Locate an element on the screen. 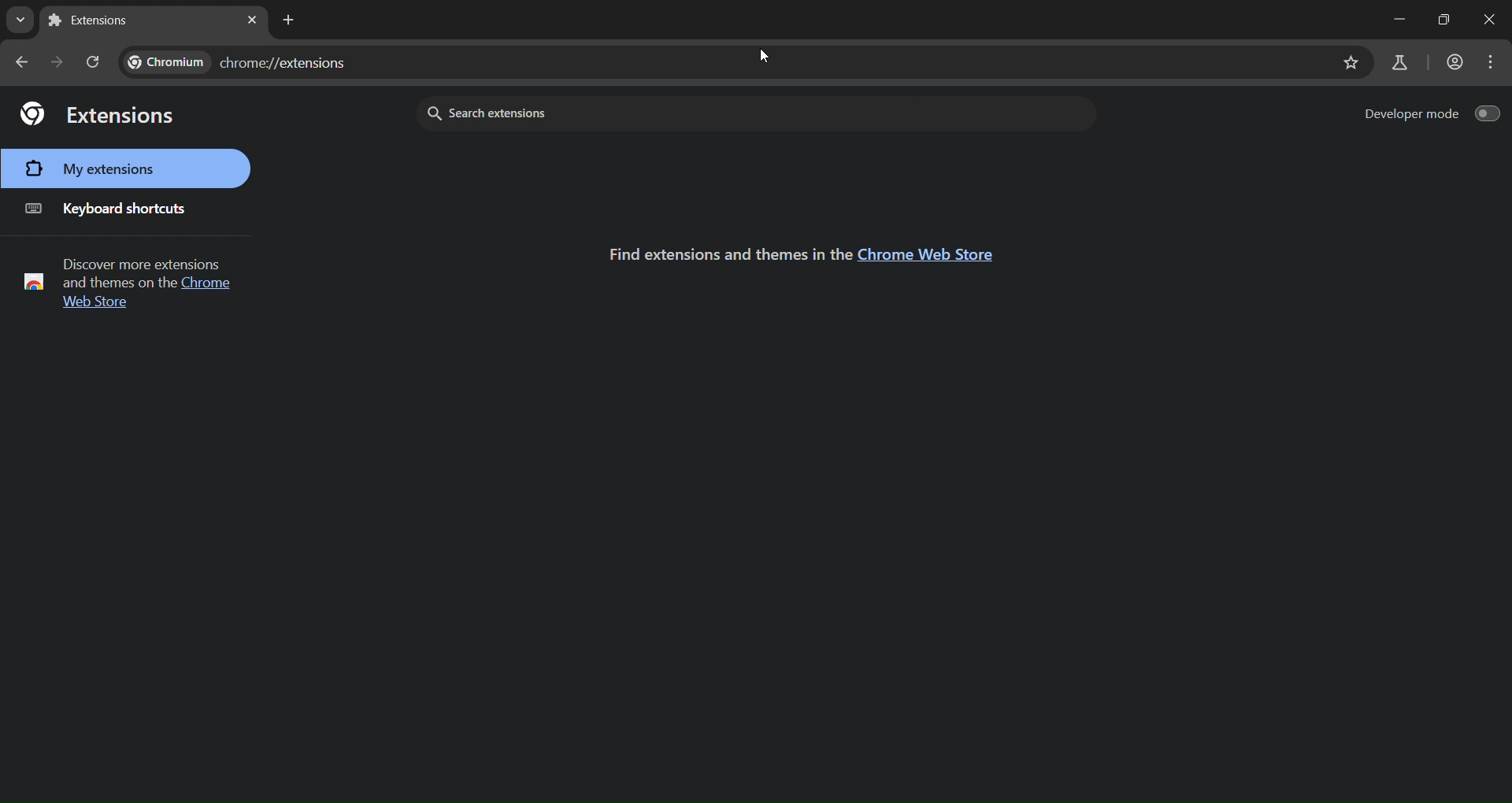 This screenshot has height=803, width=1512. account is located at coordinates (1455, 59).